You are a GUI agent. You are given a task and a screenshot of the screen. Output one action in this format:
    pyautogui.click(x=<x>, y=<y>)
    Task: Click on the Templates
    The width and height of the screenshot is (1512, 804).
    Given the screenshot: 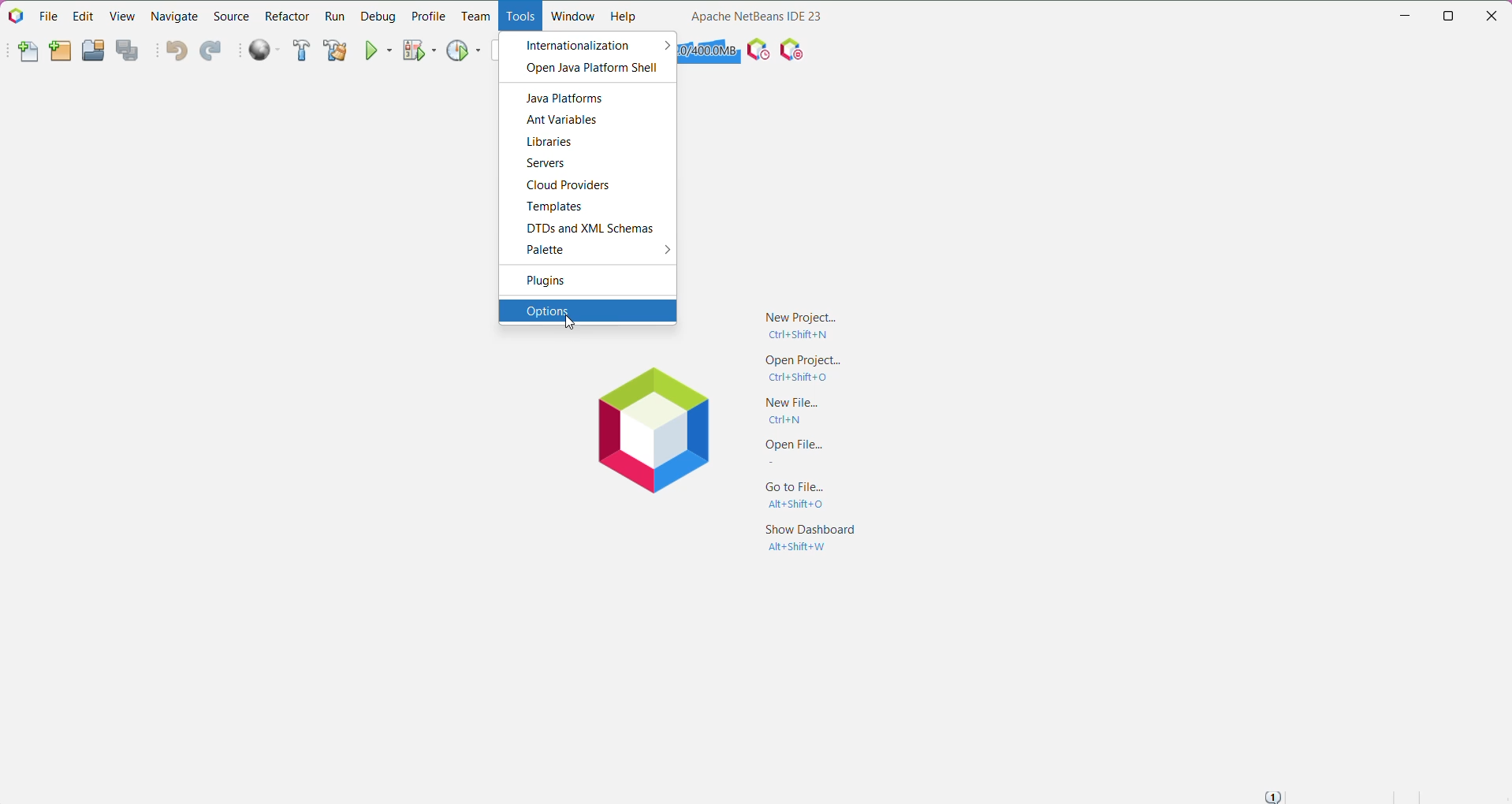 What is the action you would take?
    pyautogui.click(x=553, y=208)
    